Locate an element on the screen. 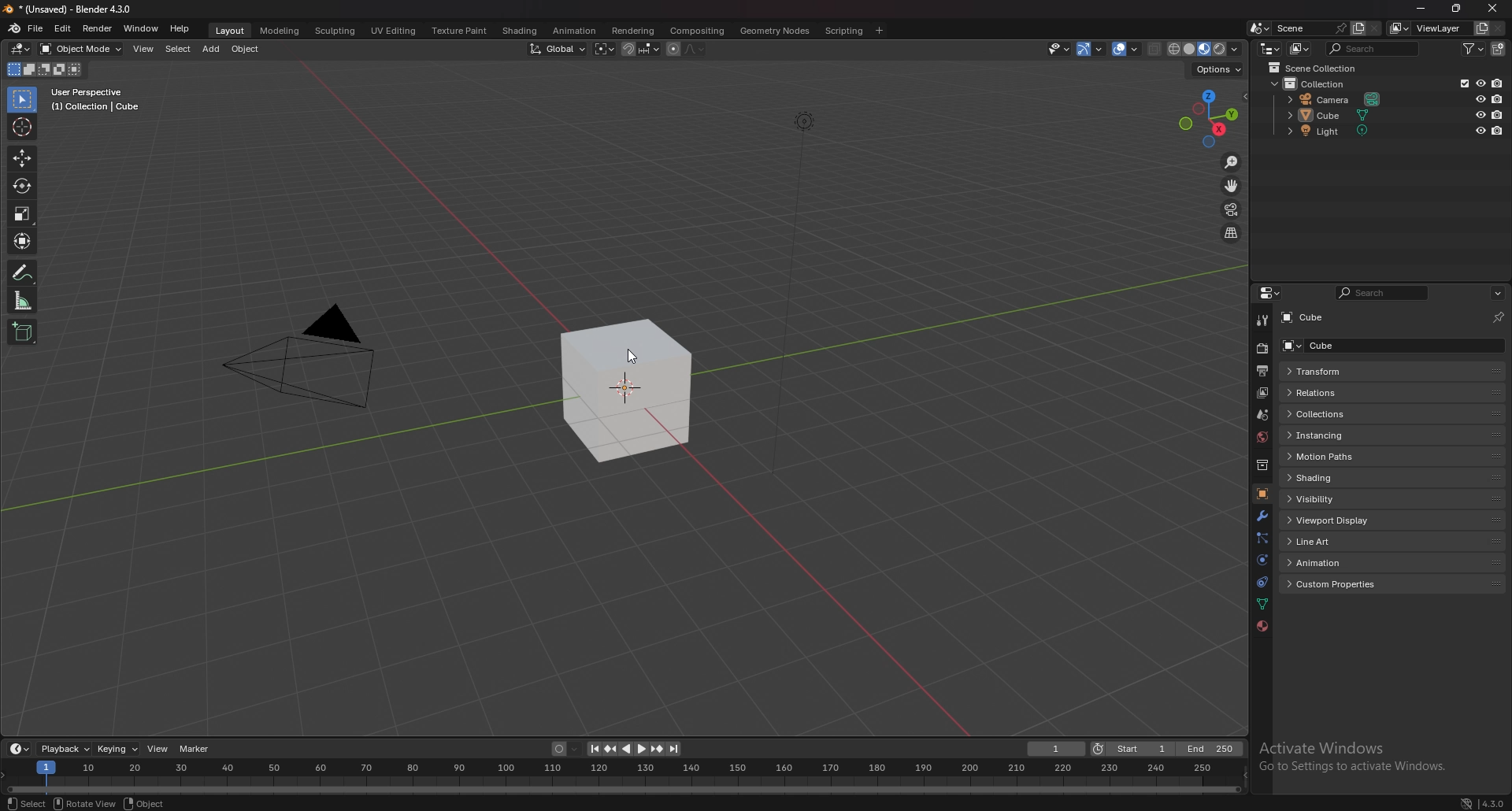  rotate view is located at coordinates (85, 803).